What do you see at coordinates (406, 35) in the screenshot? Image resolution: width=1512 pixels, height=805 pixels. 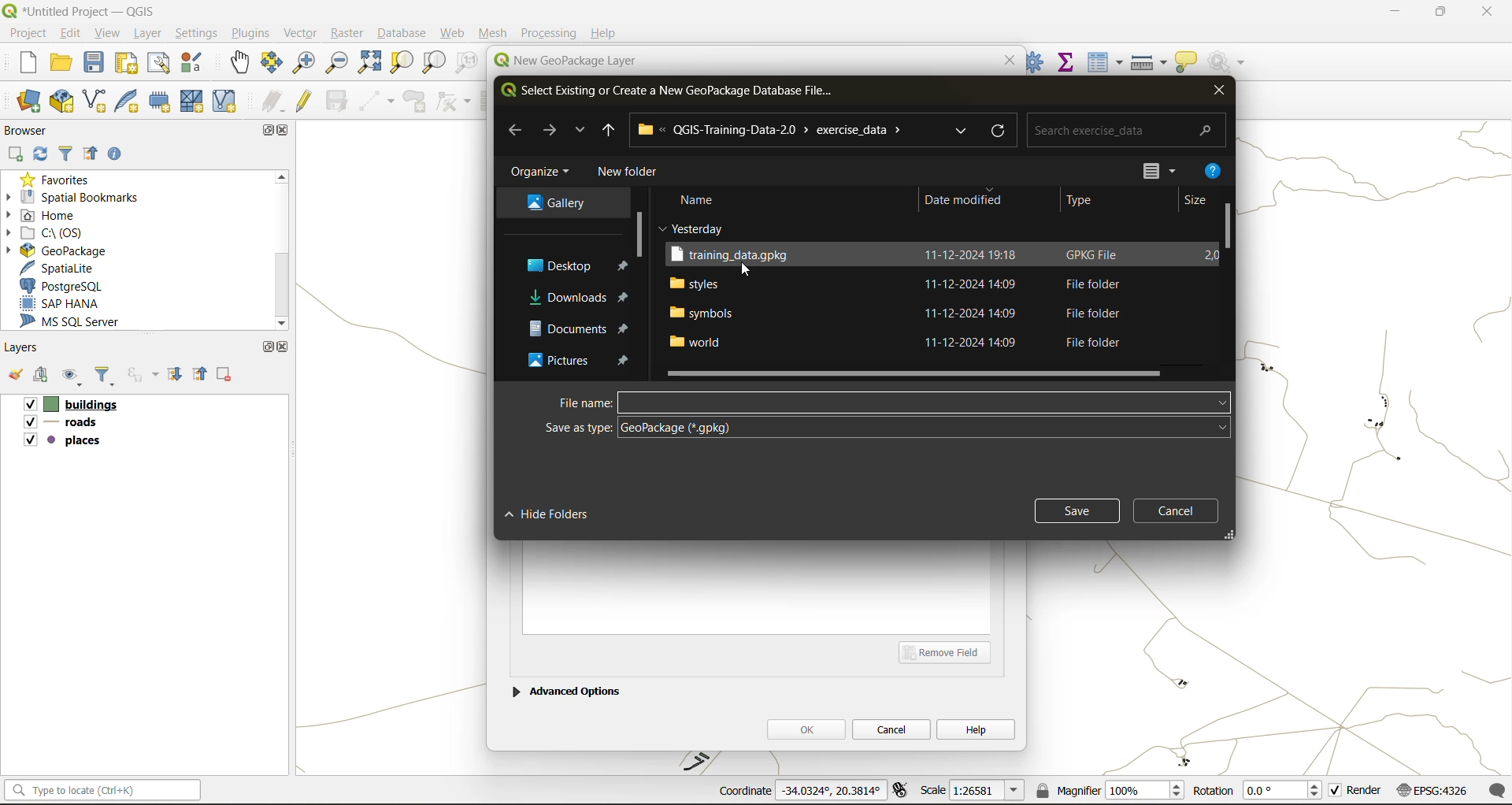 I see `database` at bounding box center [406, 35].